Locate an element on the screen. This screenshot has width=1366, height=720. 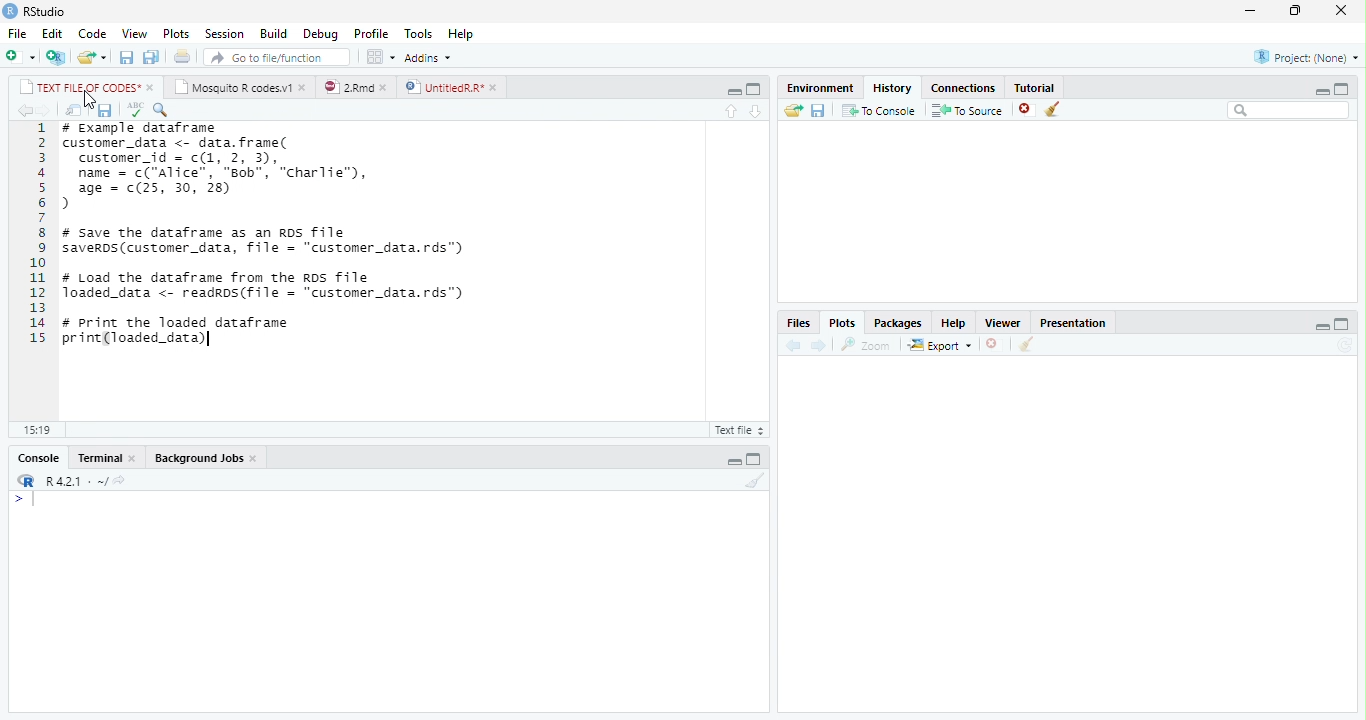
Connections is located at coordinates (963, 89).